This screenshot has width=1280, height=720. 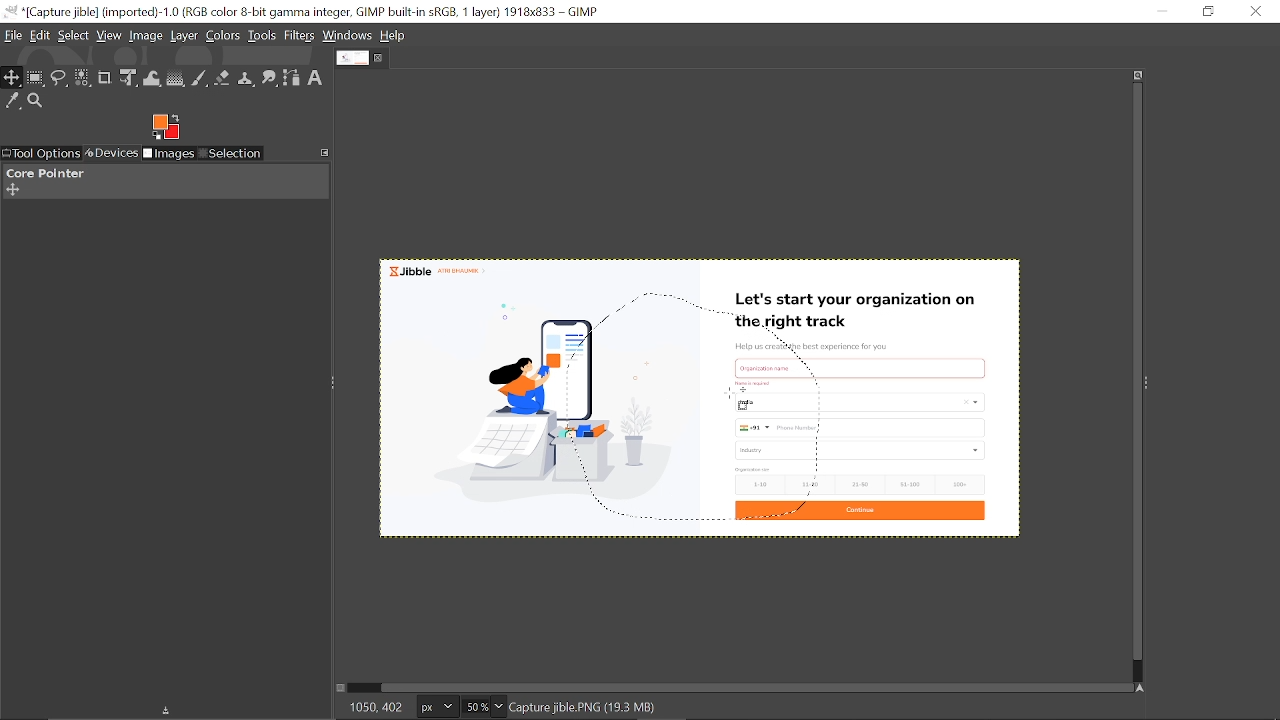 I want to click on Crop text tool, so click(x=105, y=78).